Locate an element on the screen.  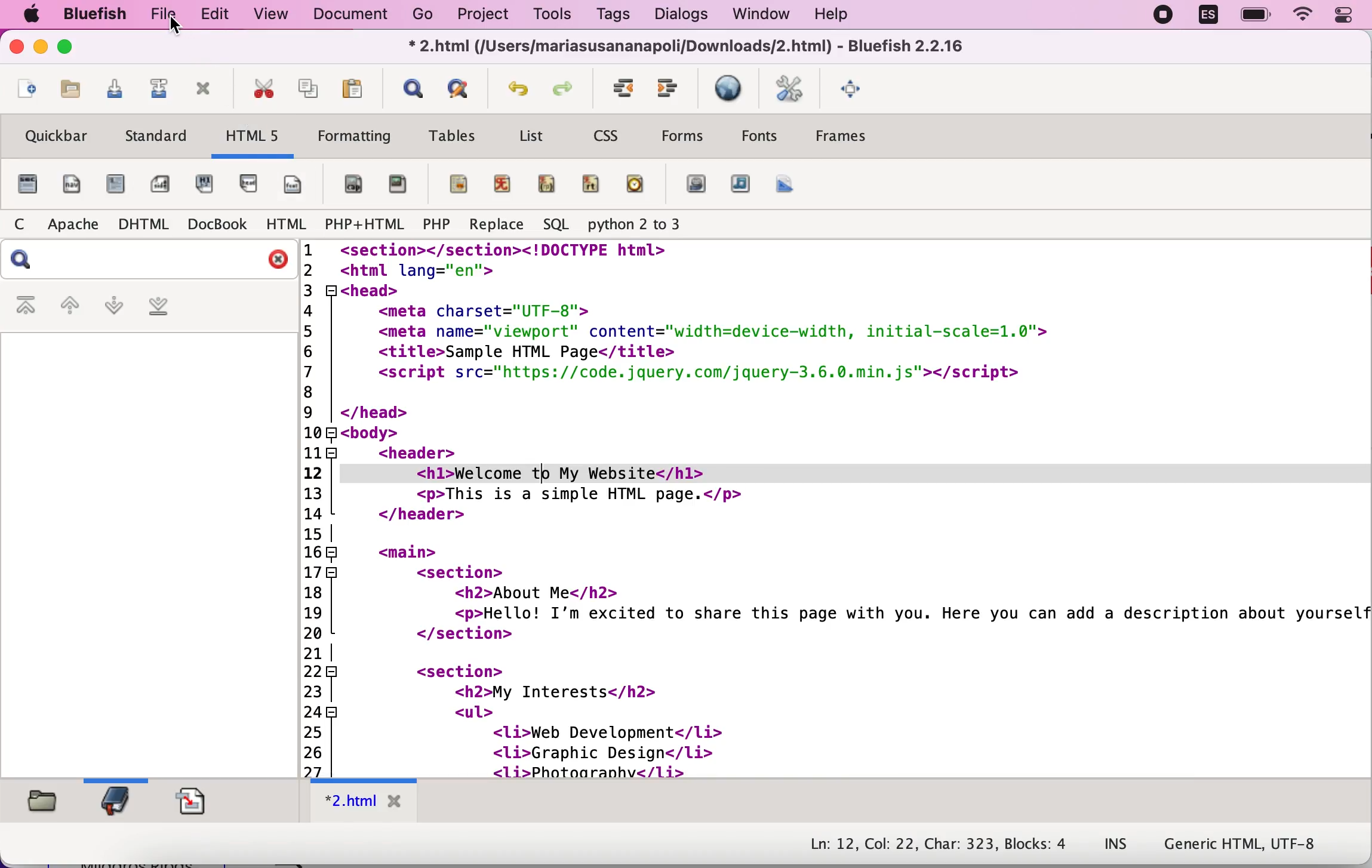
canvas is located at coordinates (786, 184).